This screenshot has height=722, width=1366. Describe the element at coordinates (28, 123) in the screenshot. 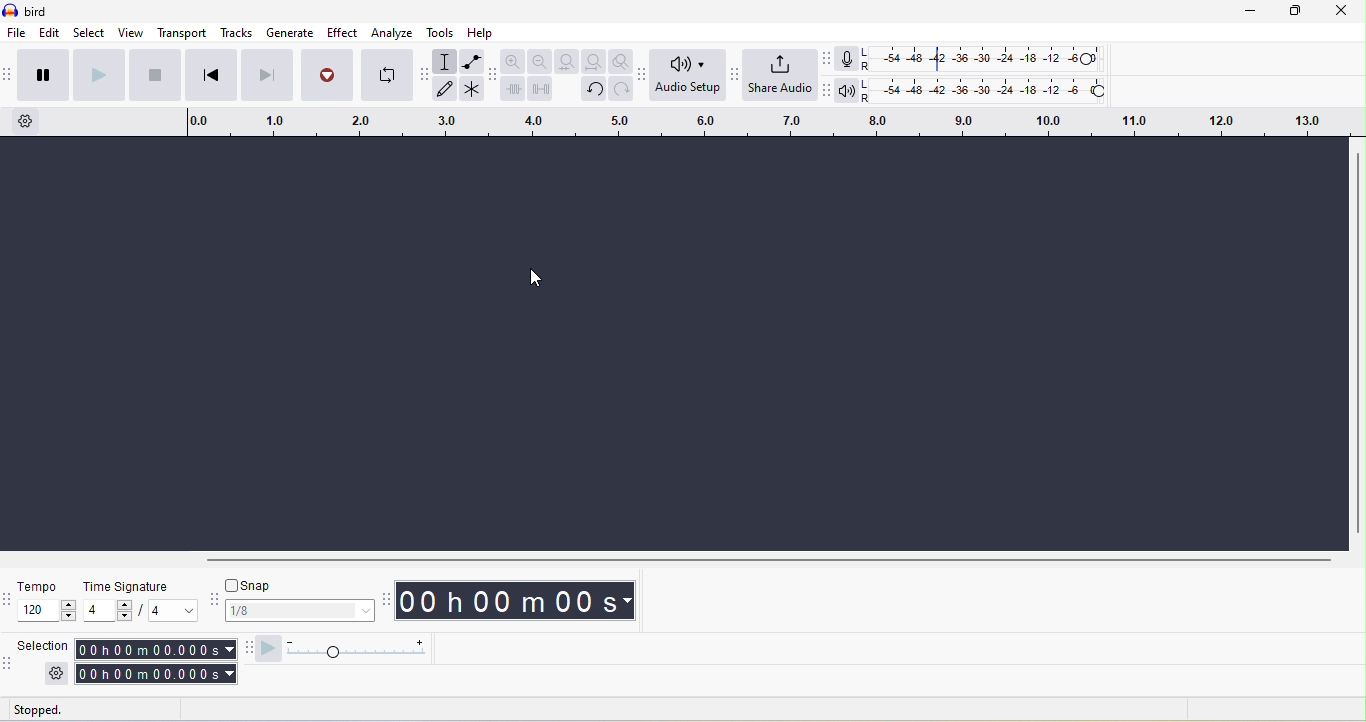

I see `timeline options` at that location.